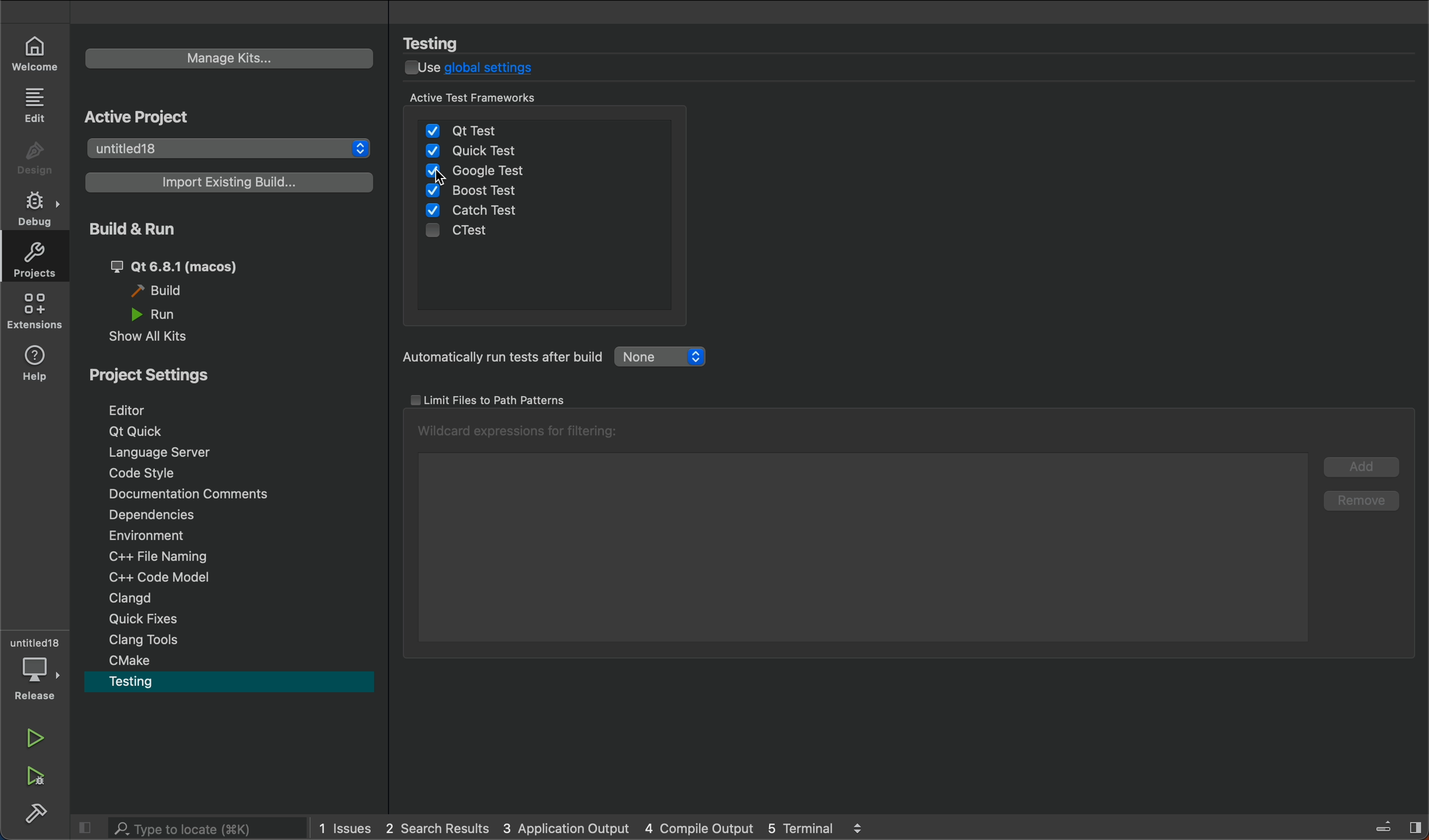  What do you see at coordinates (542, 126) in the screenshot?
I see `qt test` at bounding box center [542, 126].